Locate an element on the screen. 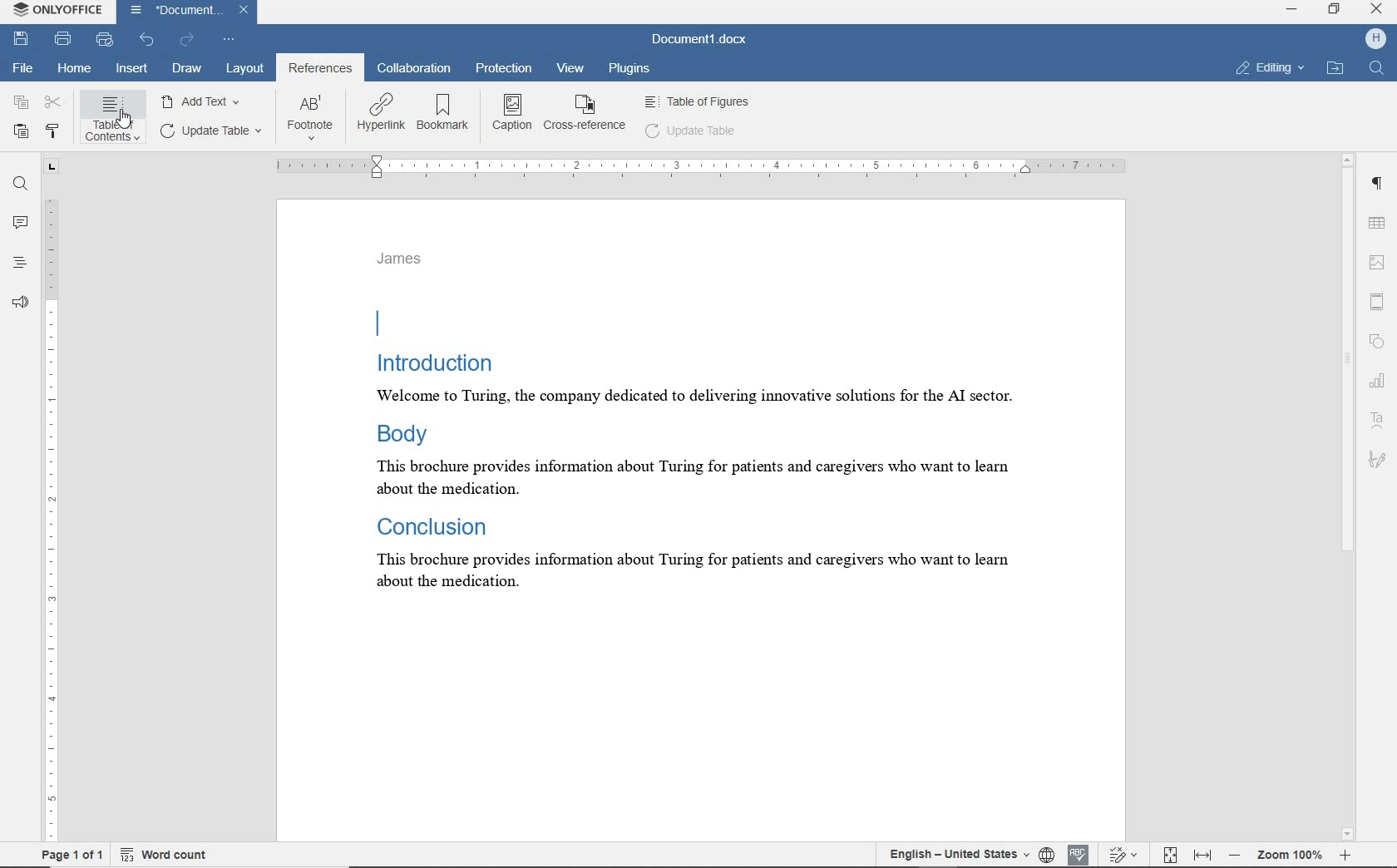 This screenshot has width=1397, height=868. spell check is located at coordinates (1078, 856).